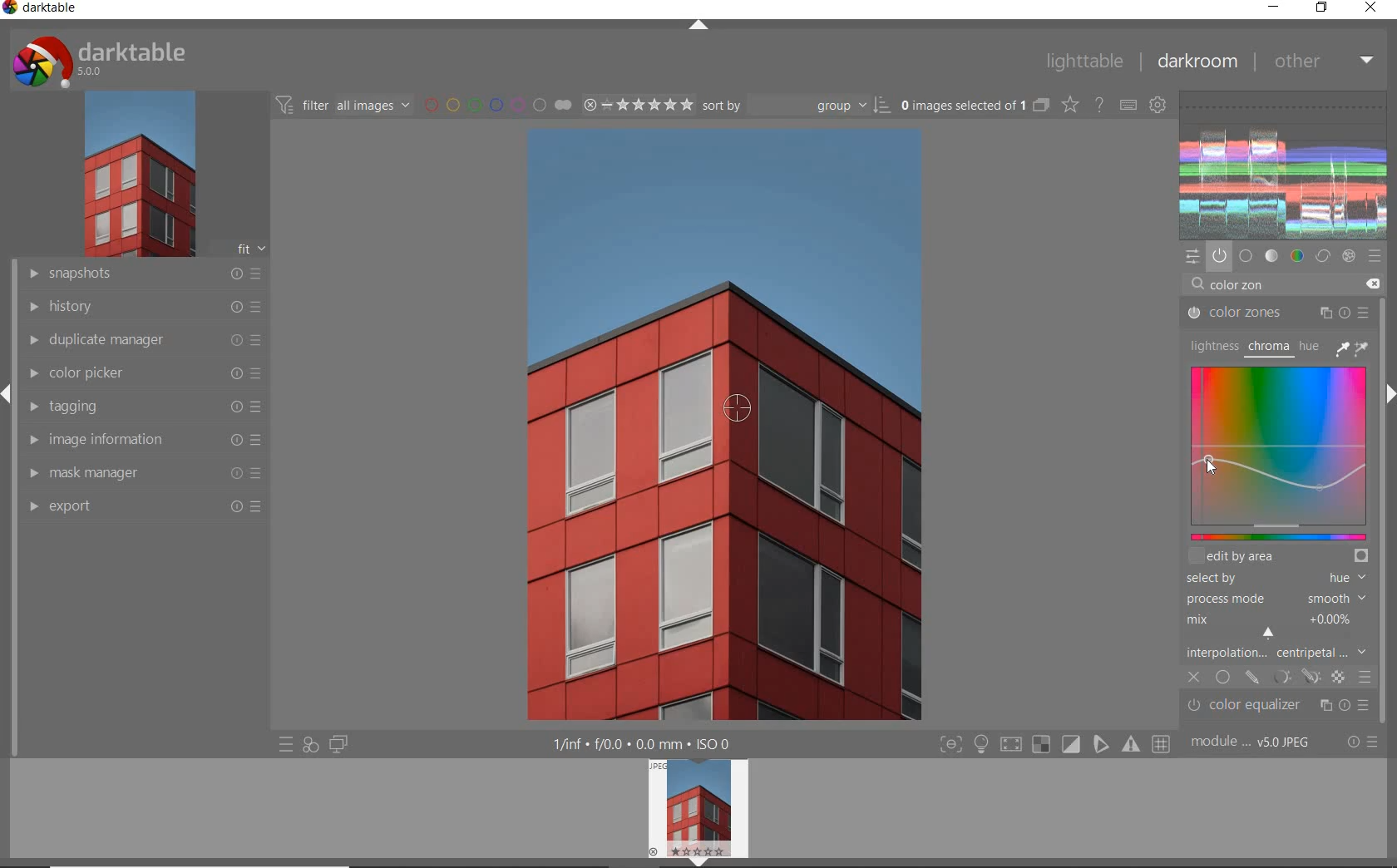 Image resolution: width=1397 pixels, height=868 pixels. I want to click on duplicate manager, so click(140, 342).